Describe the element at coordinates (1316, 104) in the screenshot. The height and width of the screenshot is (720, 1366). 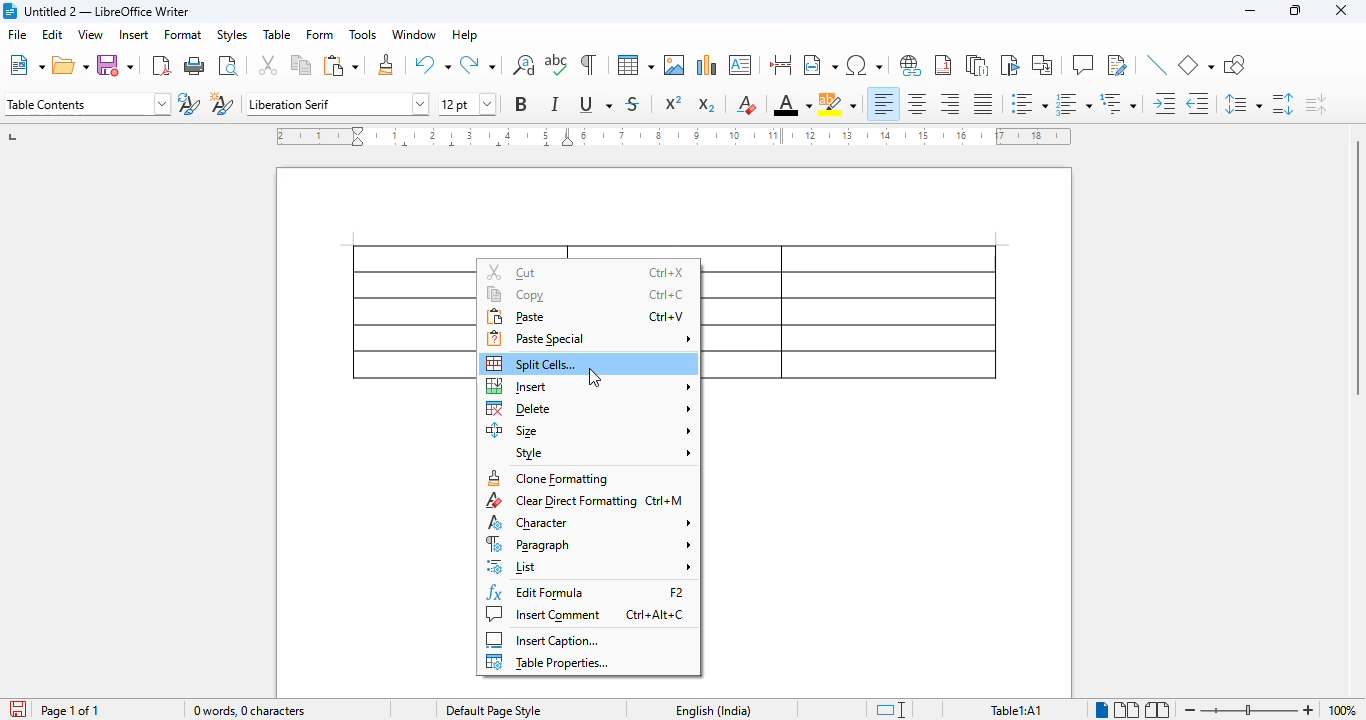
I see `decrease paragraph spacing` at that location.